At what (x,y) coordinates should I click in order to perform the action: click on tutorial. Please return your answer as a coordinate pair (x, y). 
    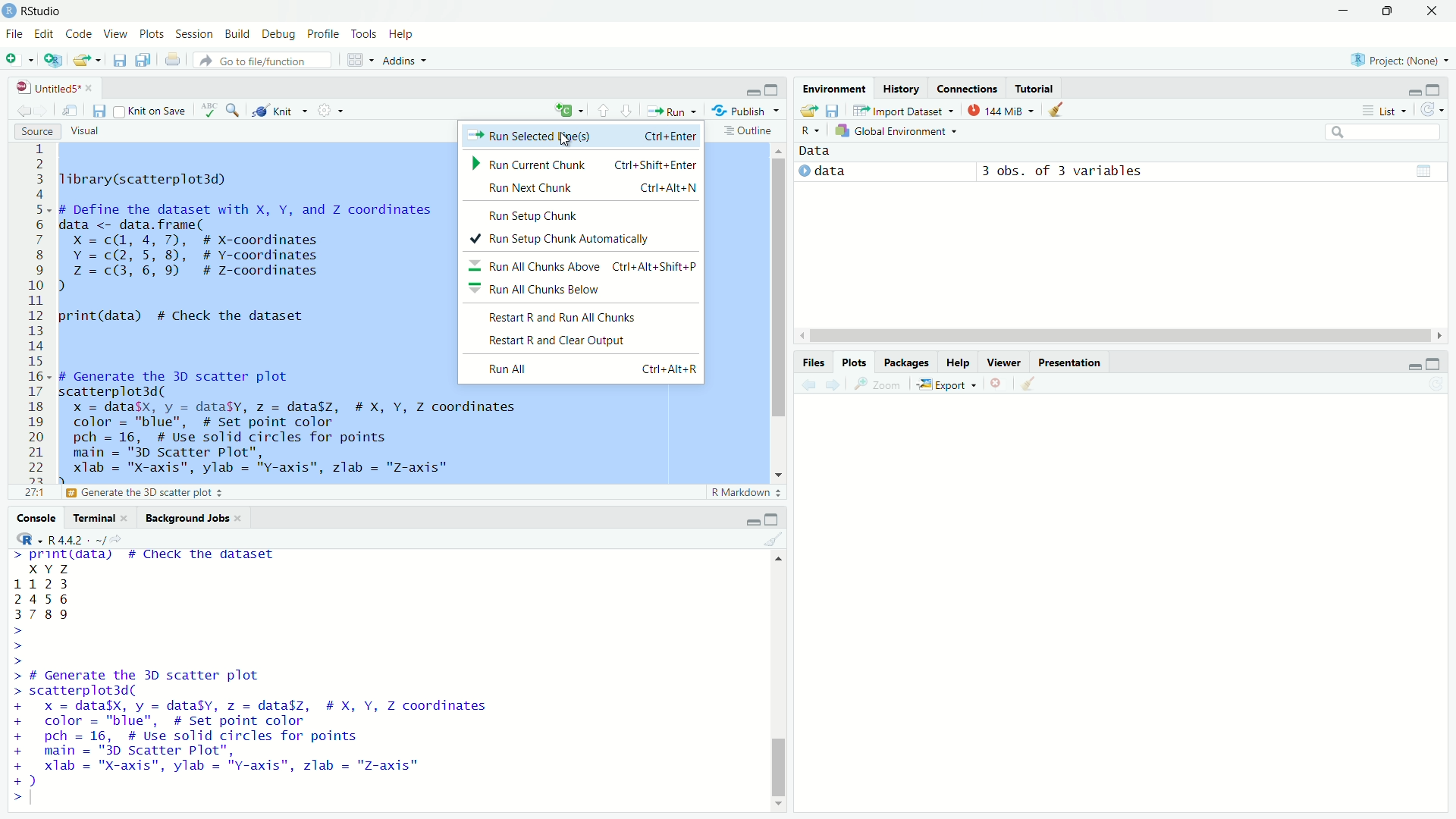
    Looking at the image, I should click on (1034, 86).